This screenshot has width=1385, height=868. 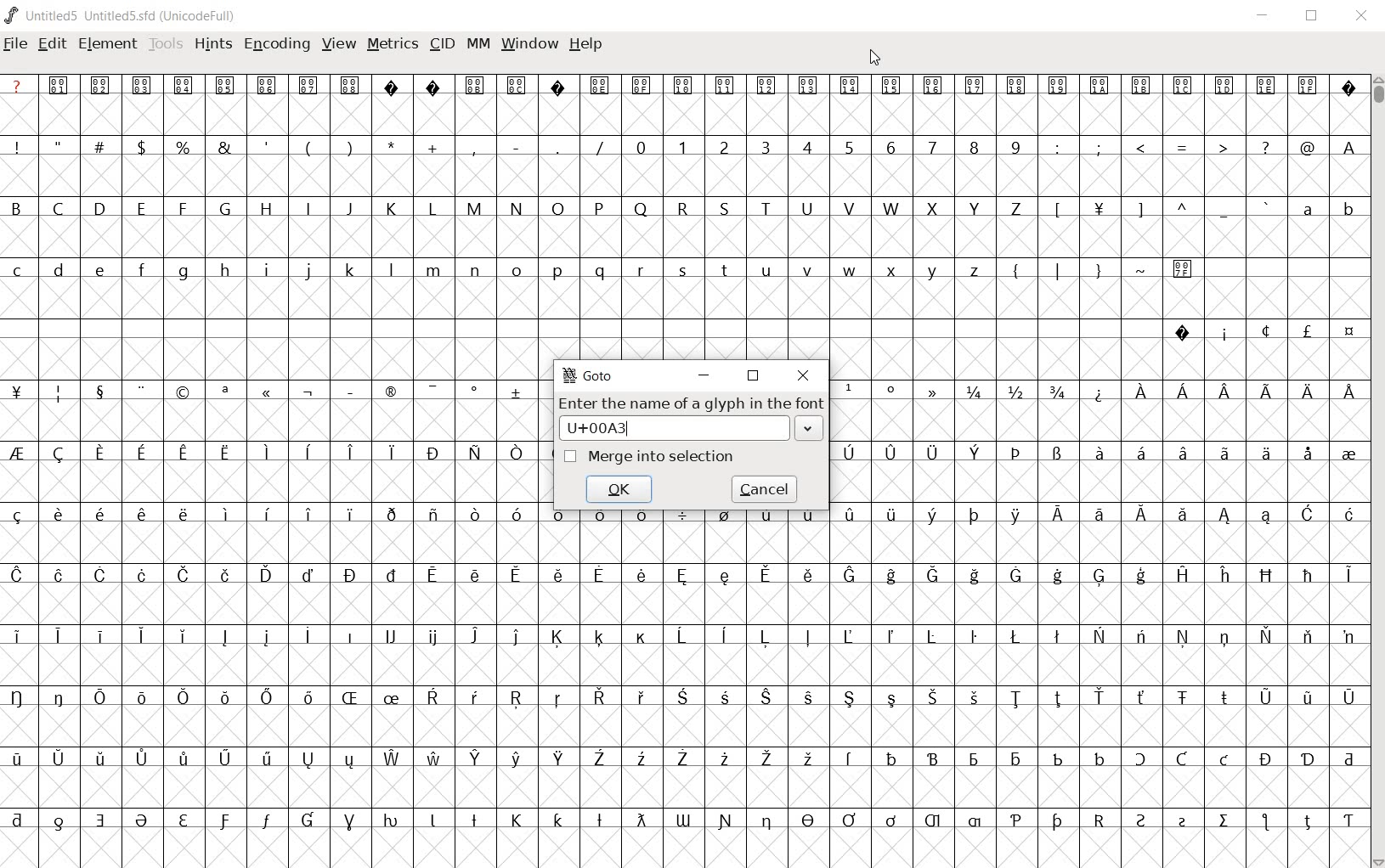 What do you see at coordinates (682, 268) in the screenshot?
I see `s` at bounding box center [682, 268].